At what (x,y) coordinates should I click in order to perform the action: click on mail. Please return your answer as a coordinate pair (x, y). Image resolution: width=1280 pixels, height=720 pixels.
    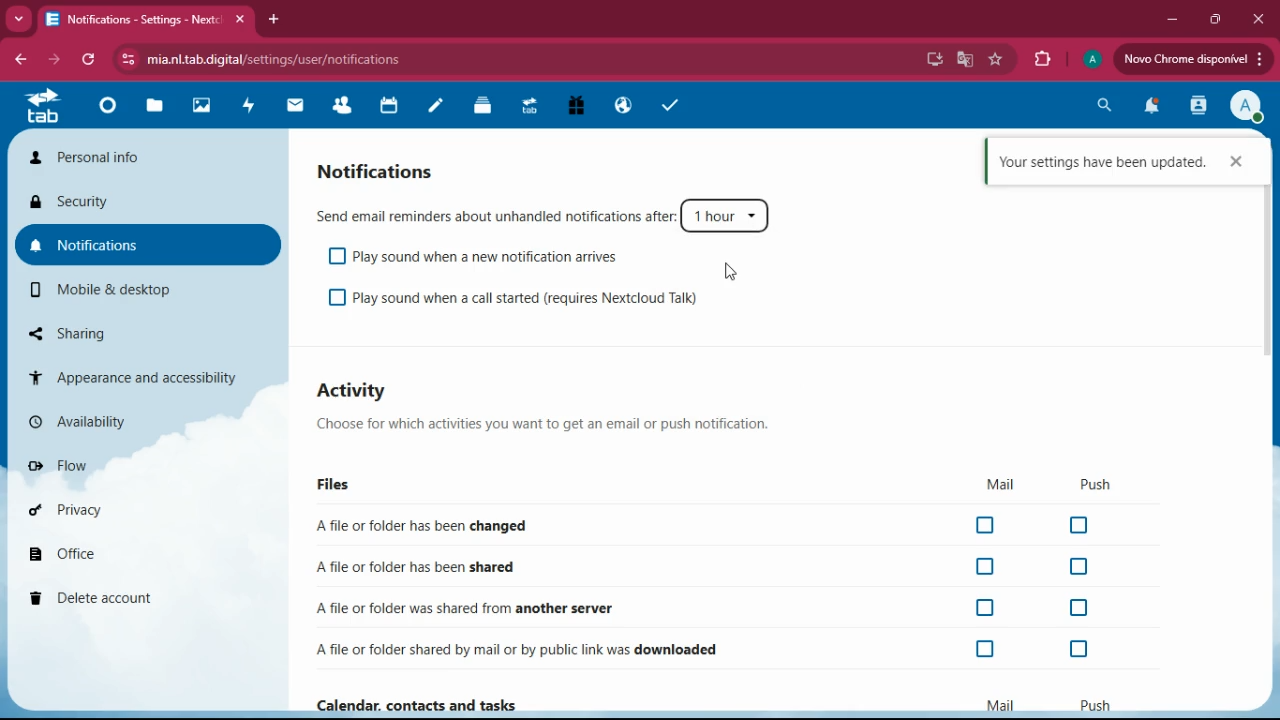
    Looking at the image, I should click on (1003, 703).